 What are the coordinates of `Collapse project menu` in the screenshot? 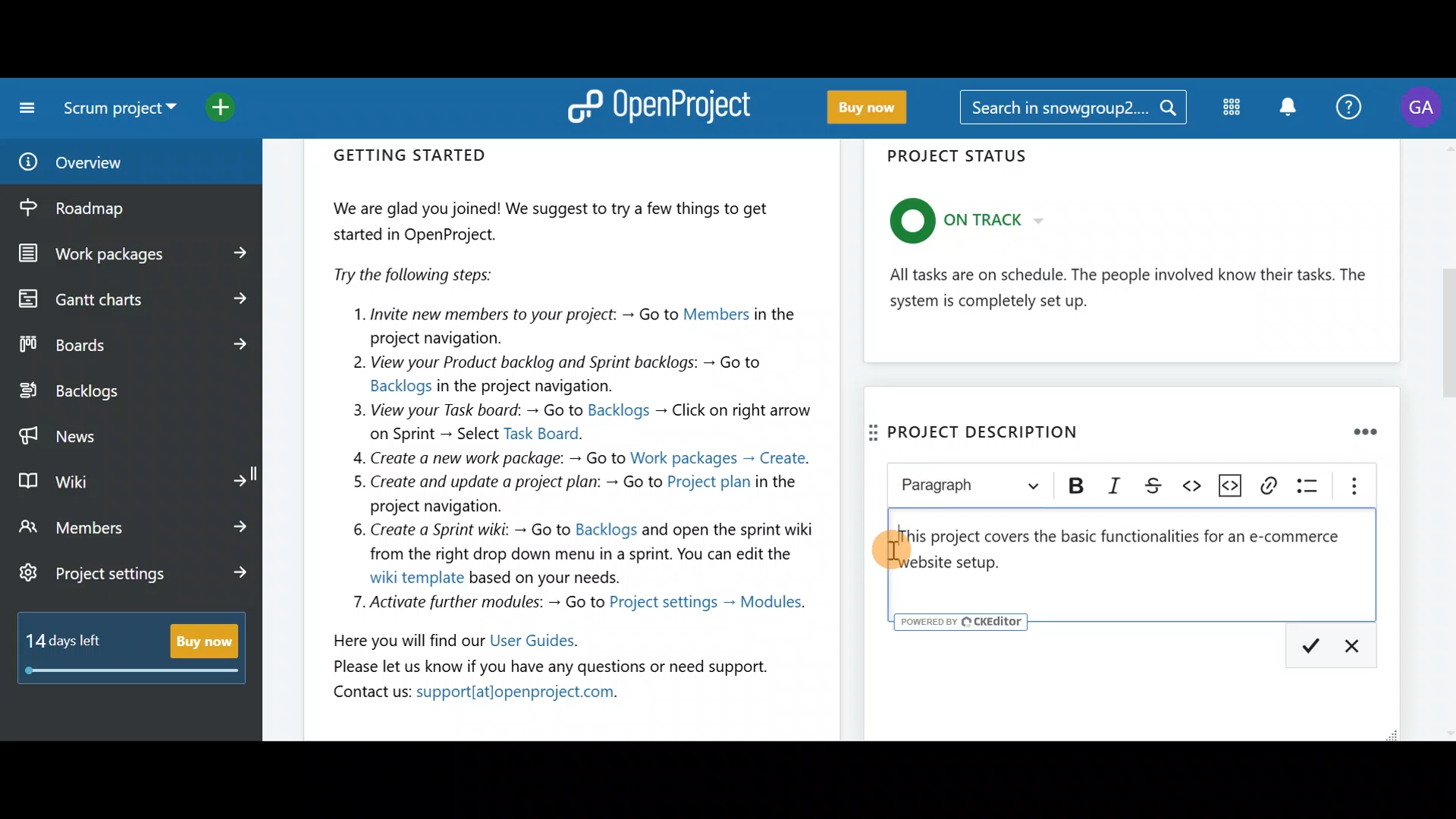 It's located at (24, 108).